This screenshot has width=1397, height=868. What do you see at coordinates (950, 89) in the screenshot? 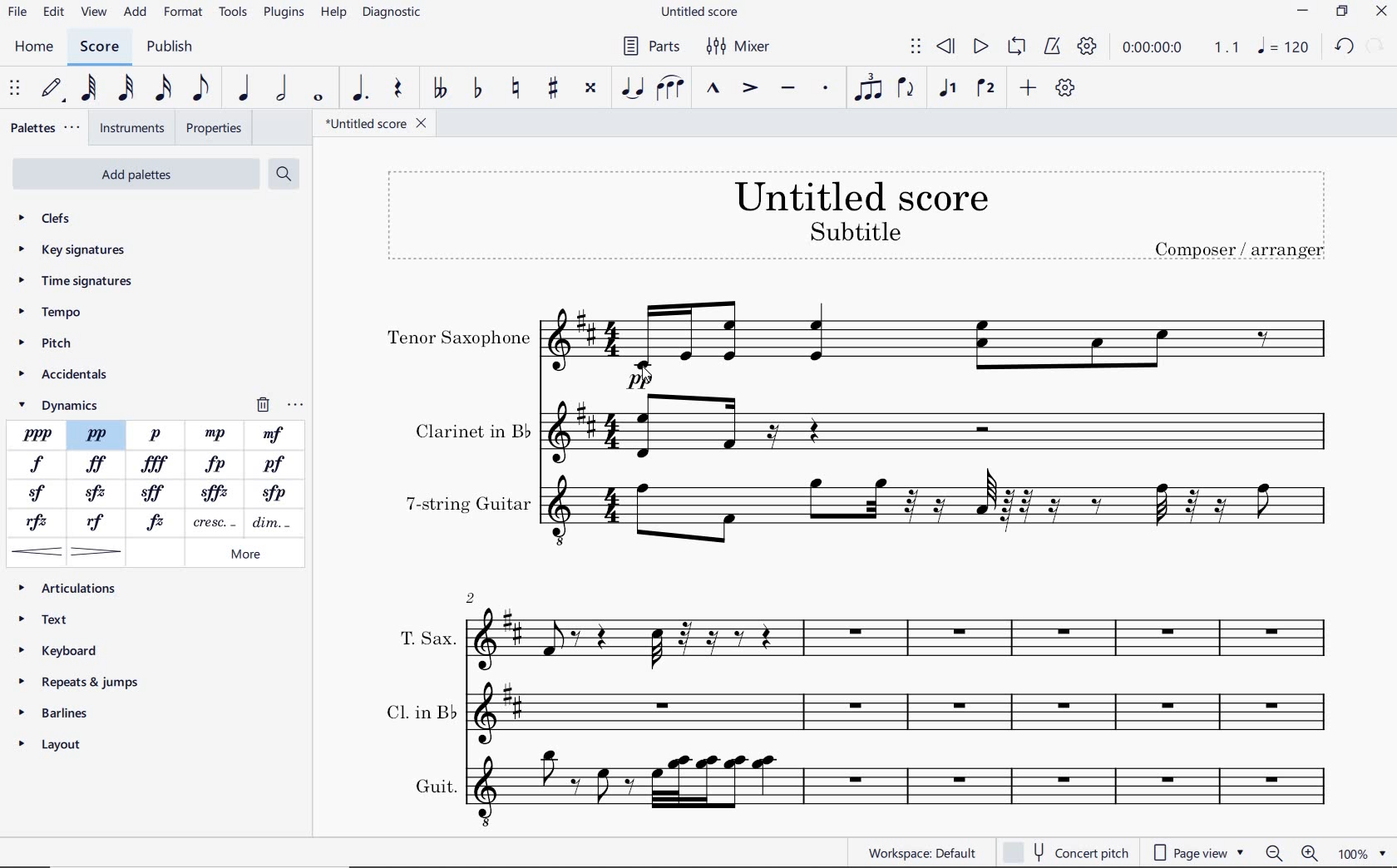
I see `VOICE 1` at bounding box center [950, 89].